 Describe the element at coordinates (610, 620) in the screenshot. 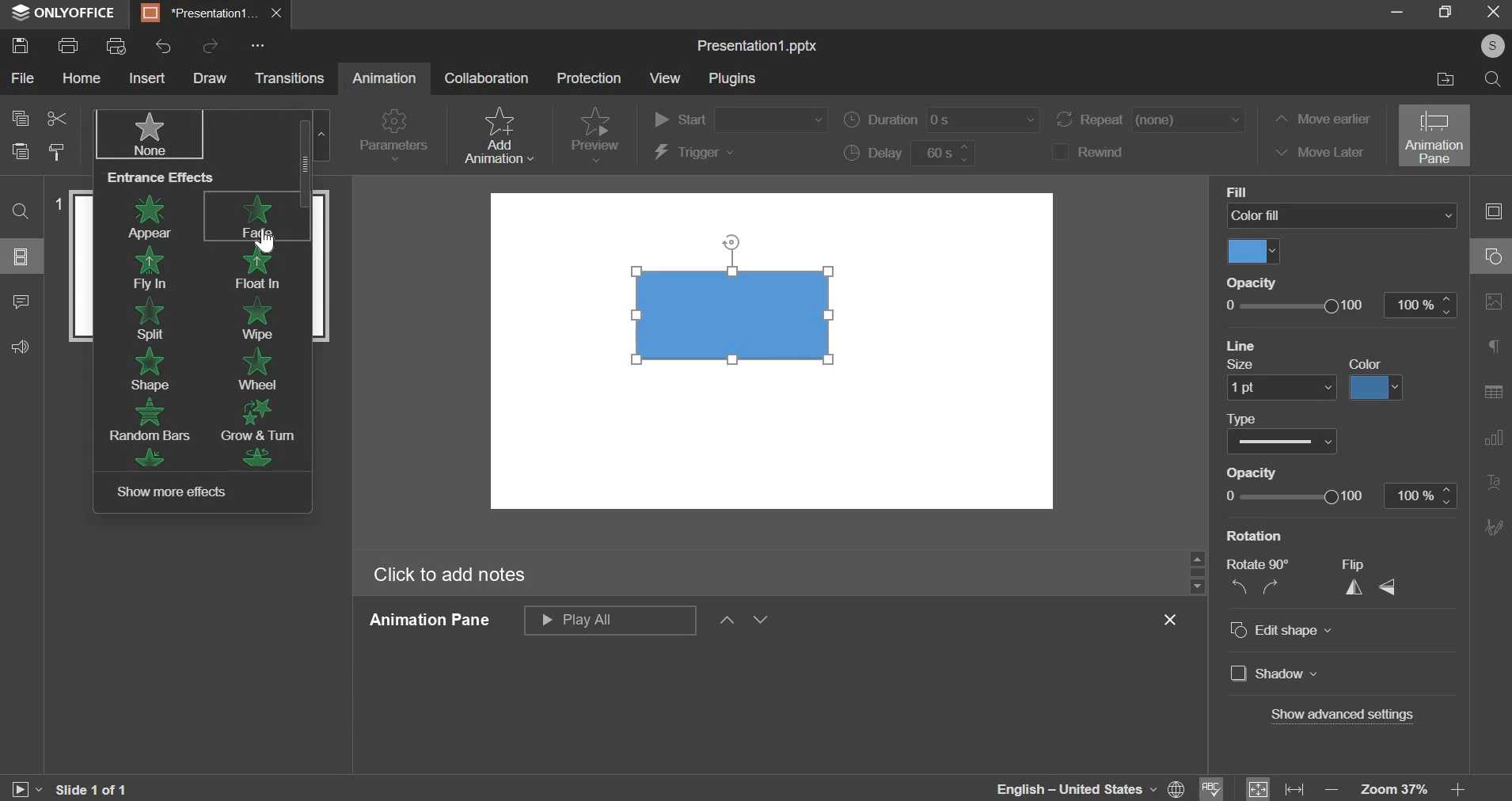

I see `animation play a;;pane` at that location.